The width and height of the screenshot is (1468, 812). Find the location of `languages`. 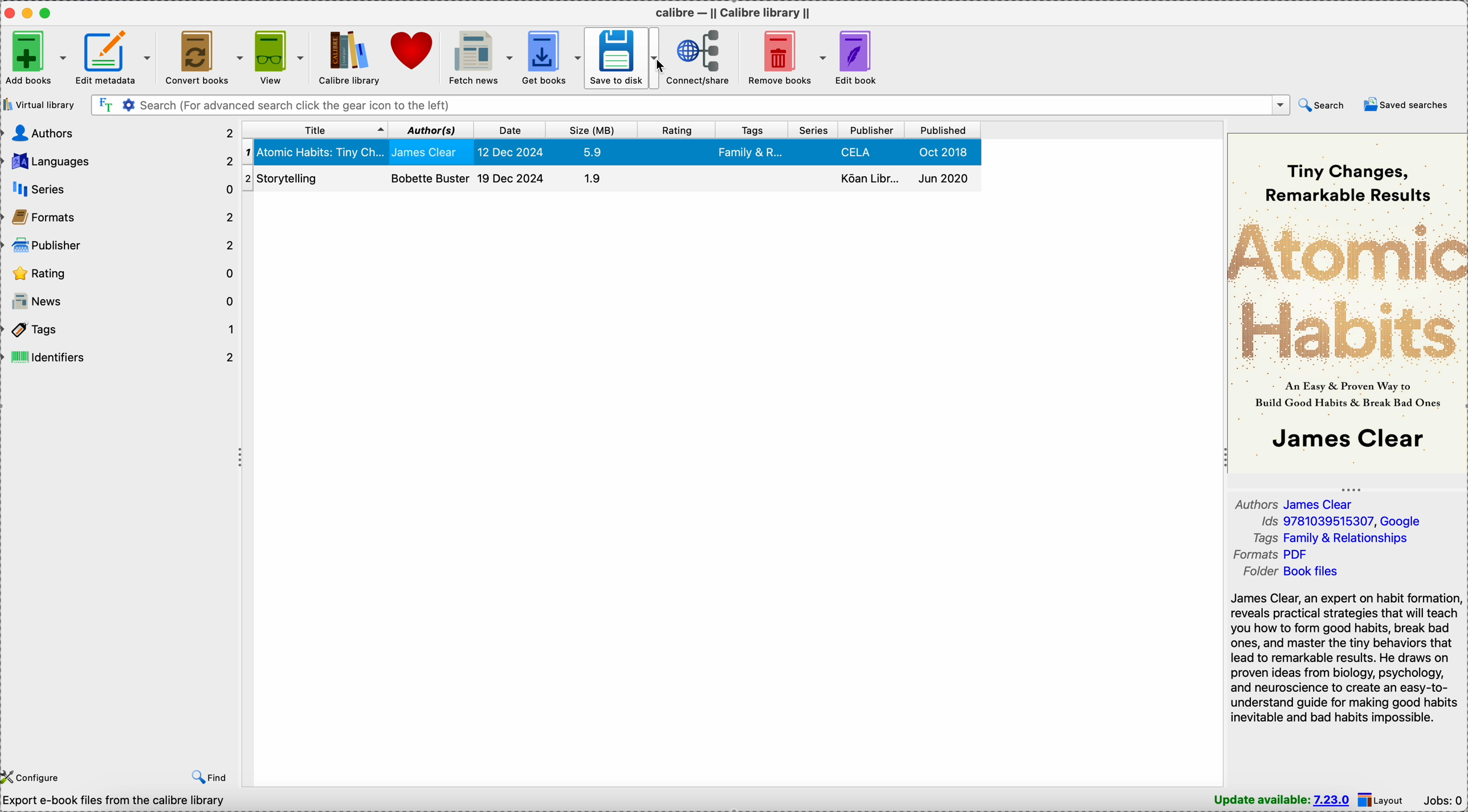

languages is located at coordinates (119, 162).